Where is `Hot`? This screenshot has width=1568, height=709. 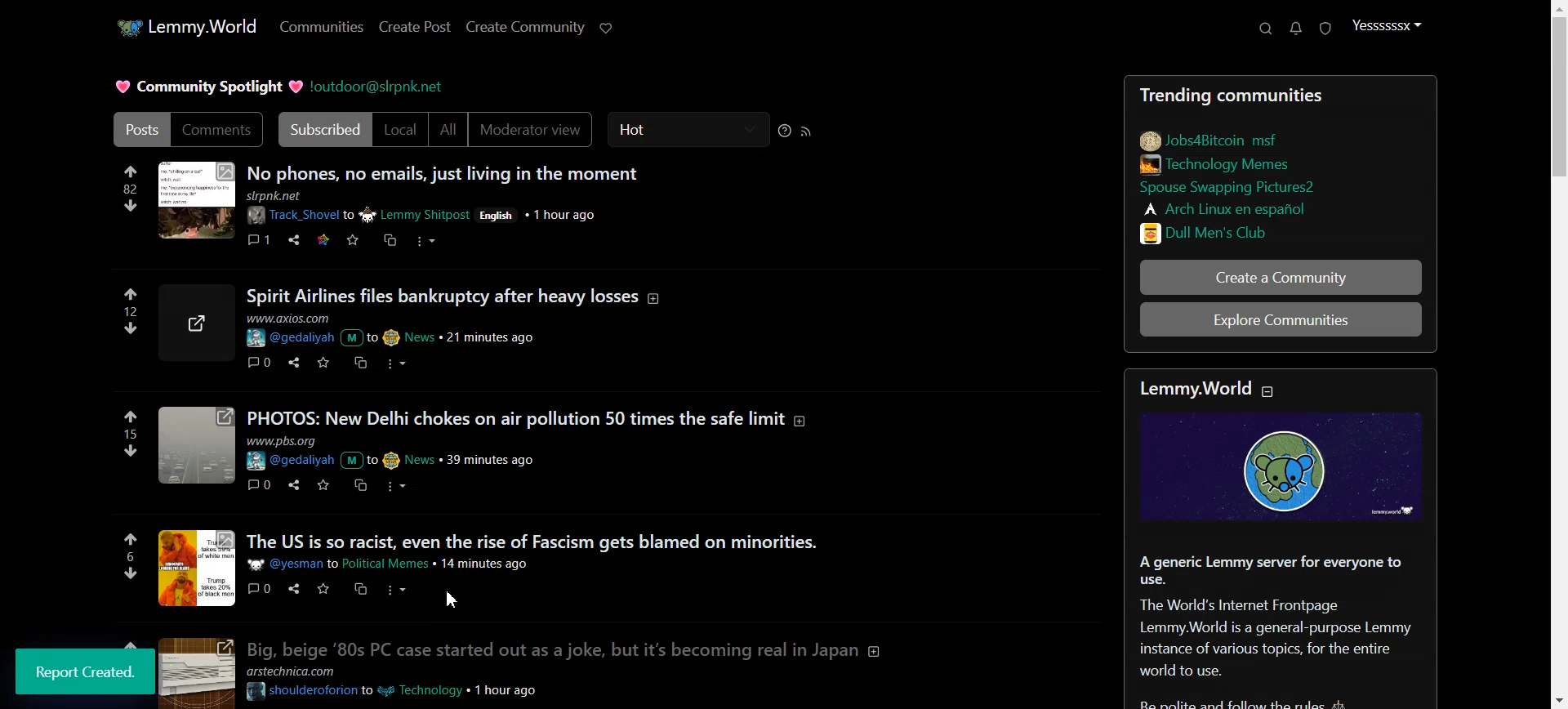 Hot is located at coordinates (688, 130).